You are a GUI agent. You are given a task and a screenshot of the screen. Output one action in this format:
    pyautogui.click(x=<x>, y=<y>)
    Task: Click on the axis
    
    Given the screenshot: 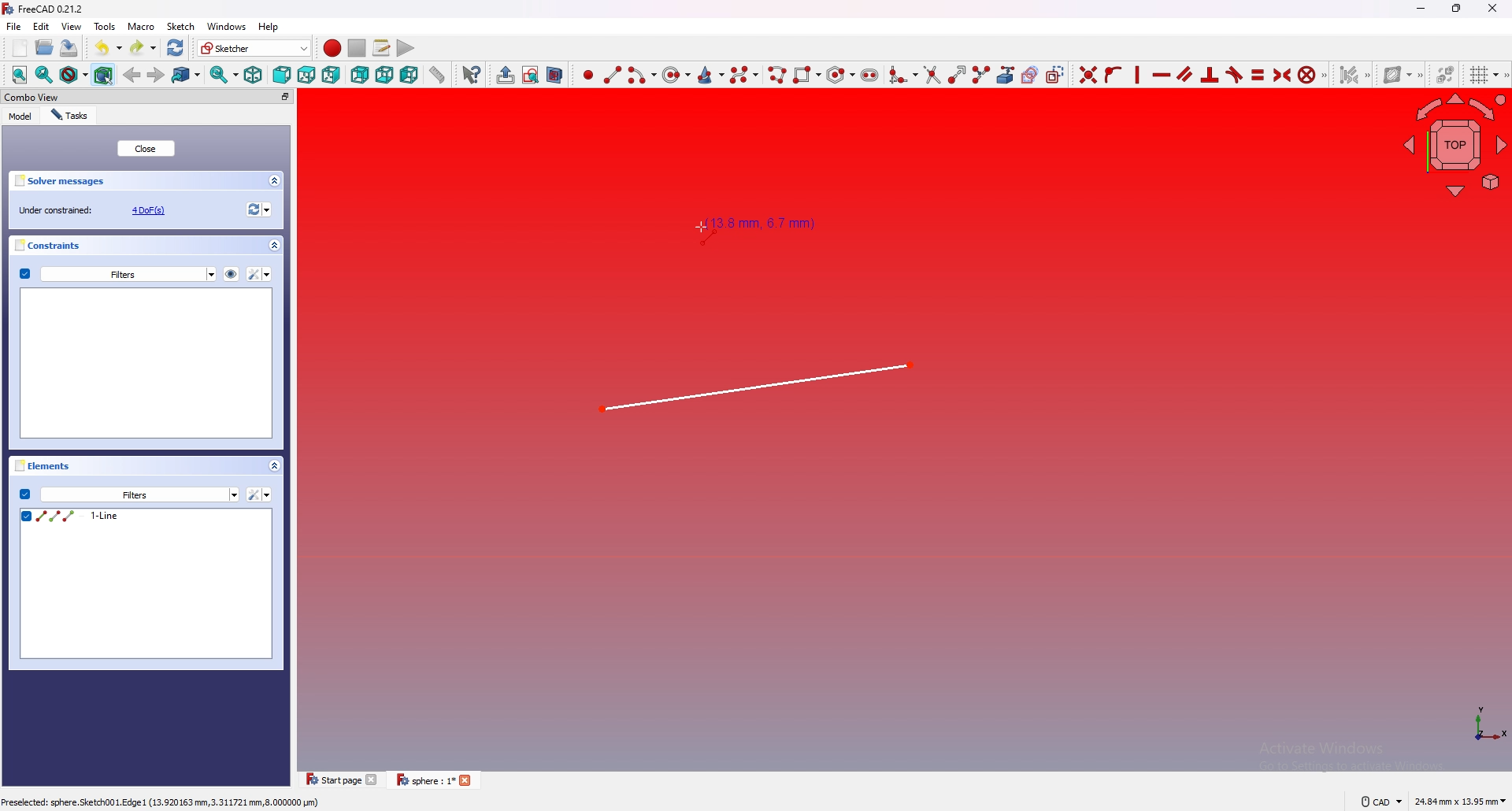 What is the action you would take?
    pyautogui.click(x=1483, y=722)
    